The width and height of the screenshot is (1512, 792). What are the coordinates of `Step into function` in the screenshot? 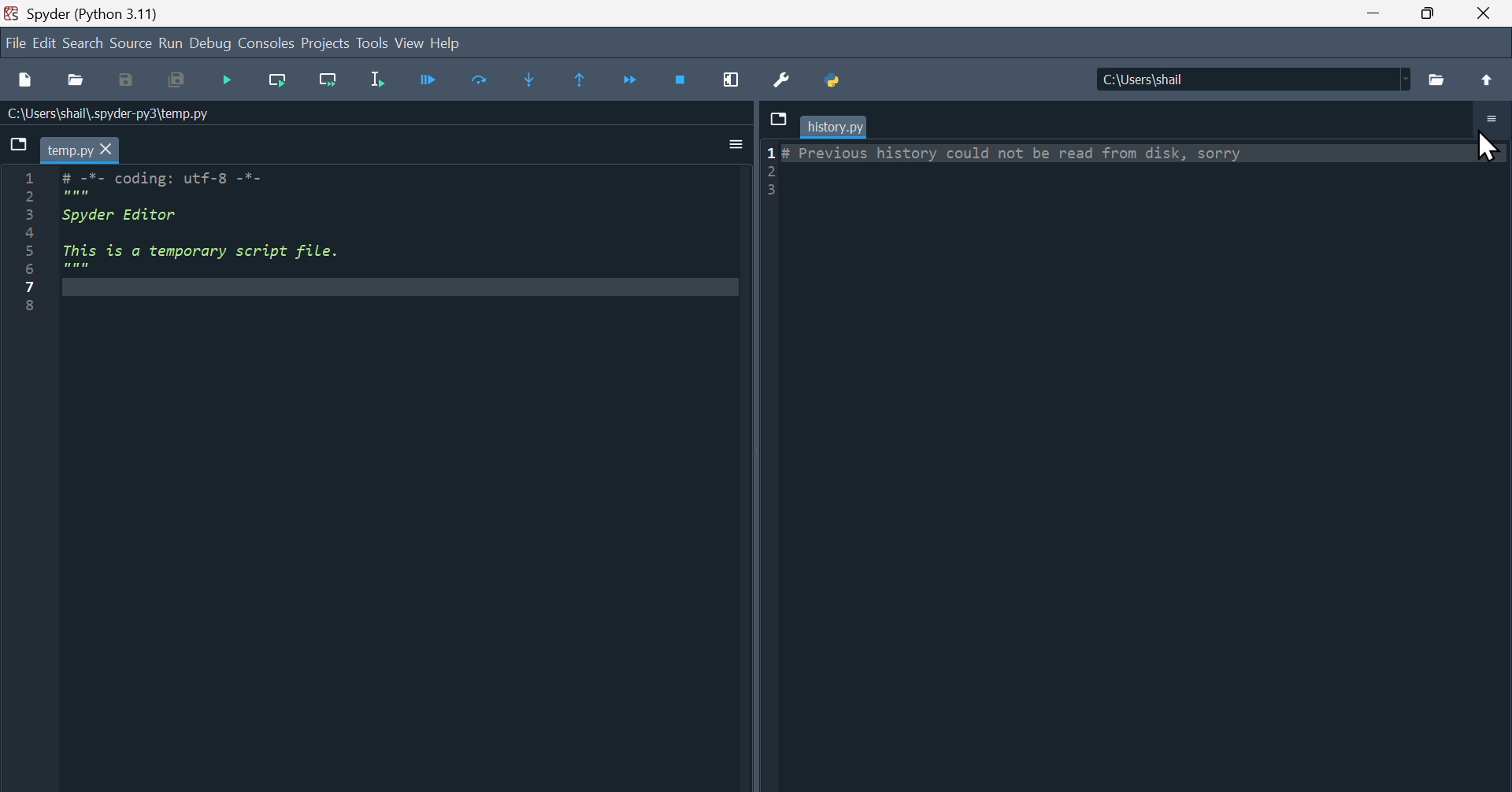 It's located at (532, 80).